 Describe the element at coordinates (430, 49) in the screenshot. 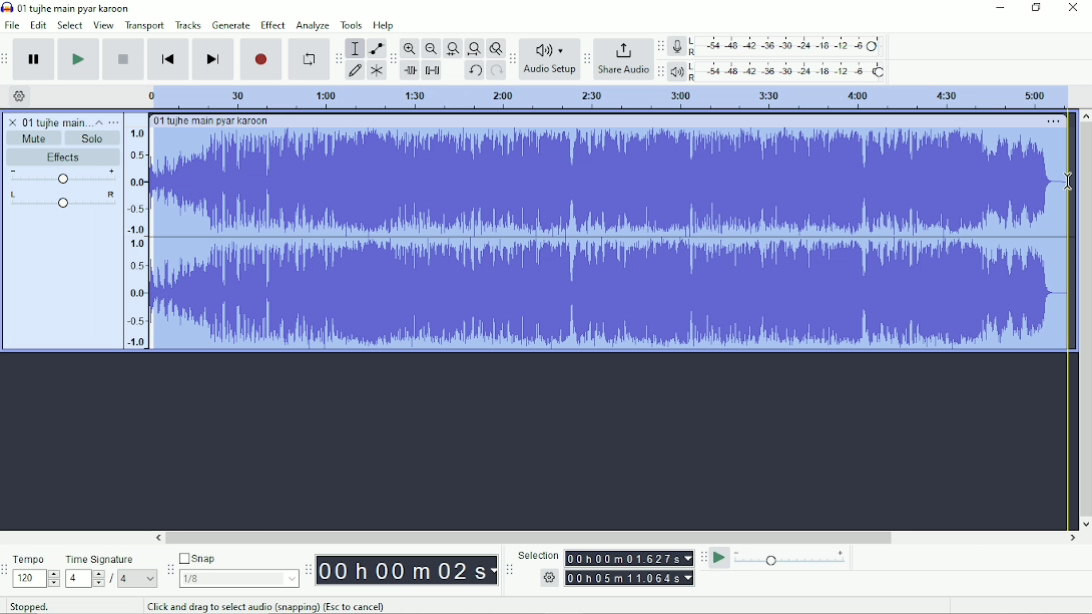

I see `Zoom Out` at that location.